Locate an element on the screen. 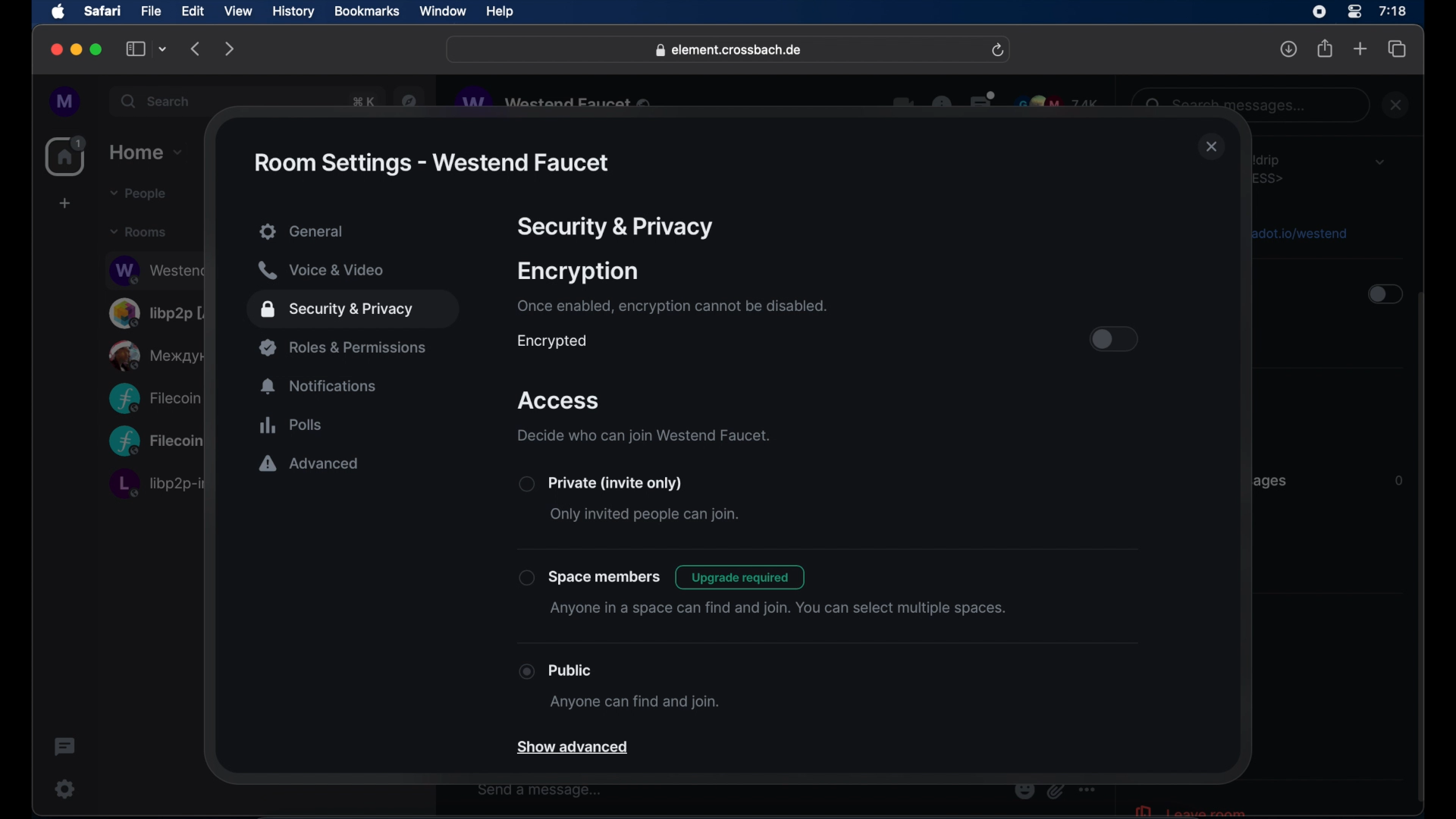 The width and height of the screenshot is (1456, 819). refresh is located at coordinates (997, 51).